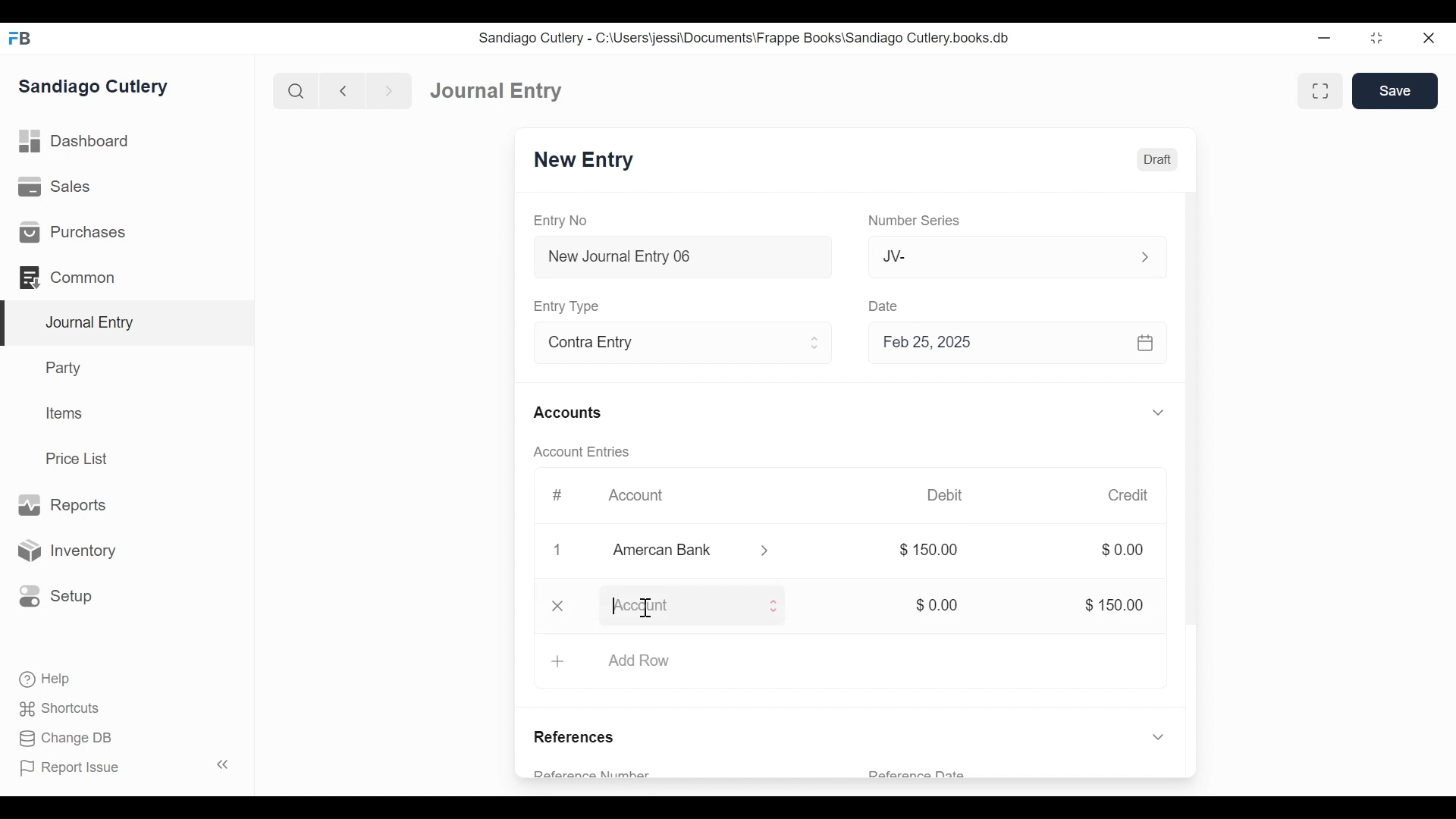  What do you see at coordinates (646, 500) in the screenshot?
I see `Account` at bounding box center [646, 500].